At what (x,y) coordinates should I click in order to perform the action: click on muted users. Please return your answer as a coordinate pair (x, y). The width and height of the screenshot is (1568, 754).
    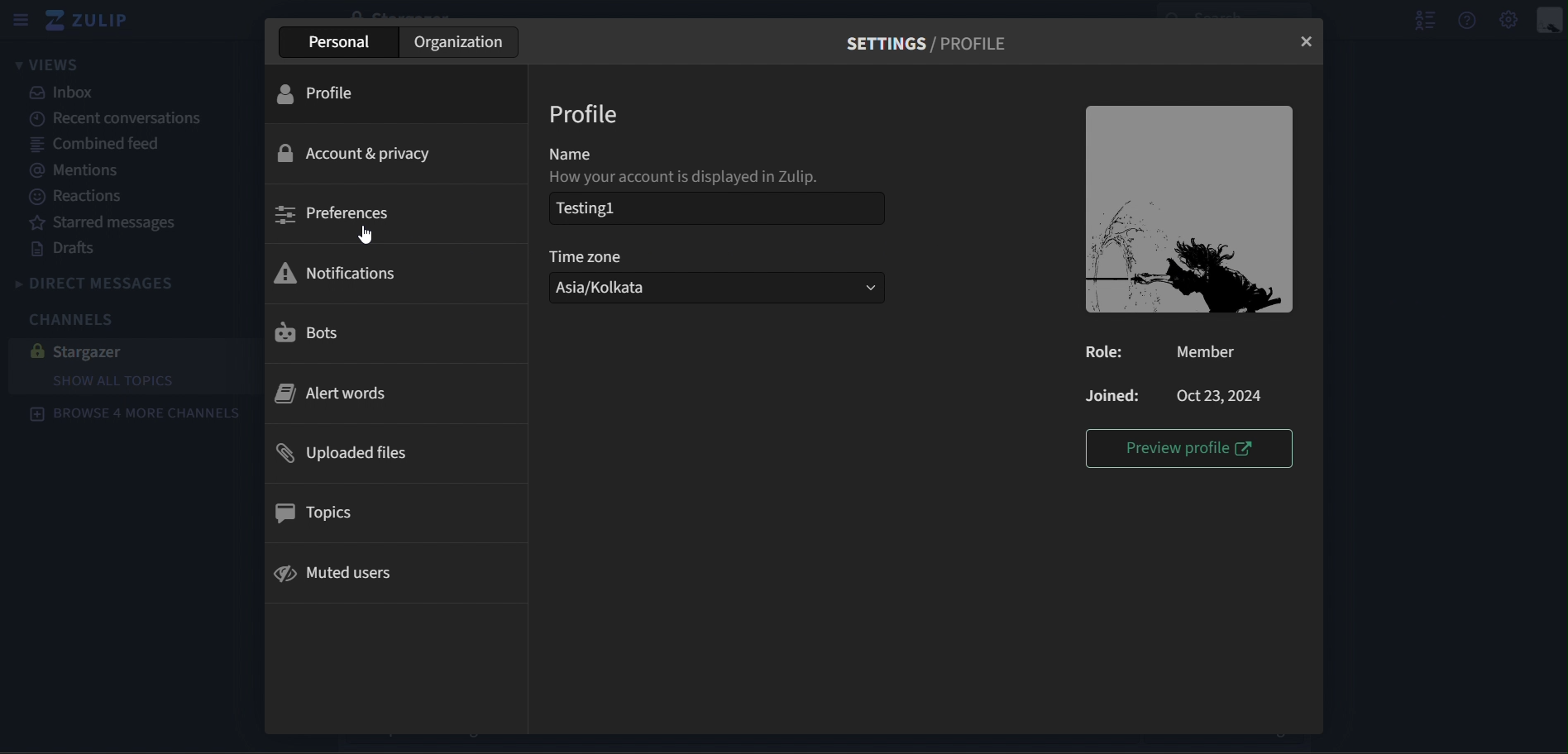
    Looking at the image, I should click on (336, 572).